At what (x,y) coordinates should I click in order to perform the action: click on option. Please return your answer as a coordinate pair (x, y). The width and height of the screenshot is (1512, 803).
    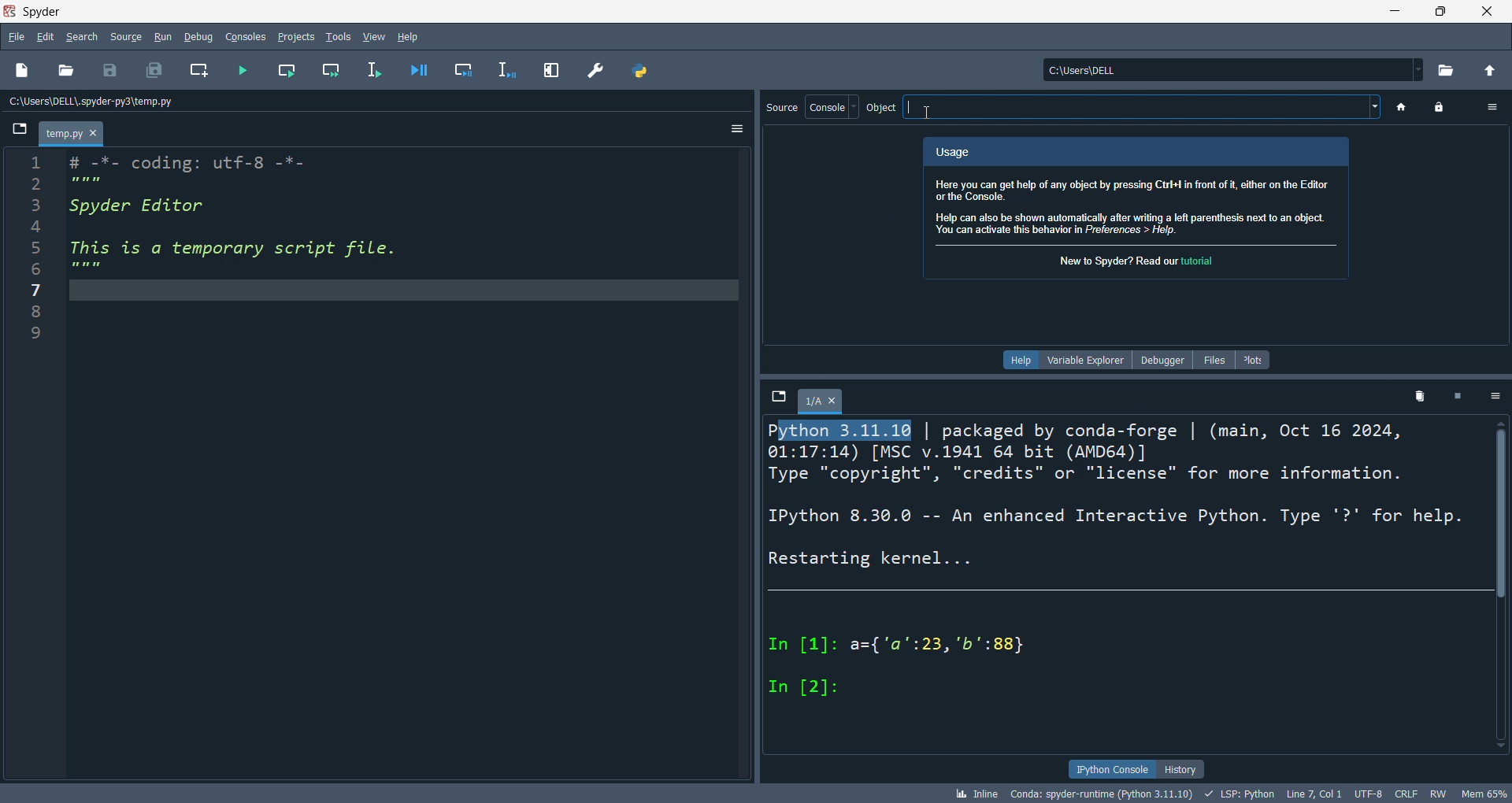
    Looking at the image, I should click on (1484, 107).